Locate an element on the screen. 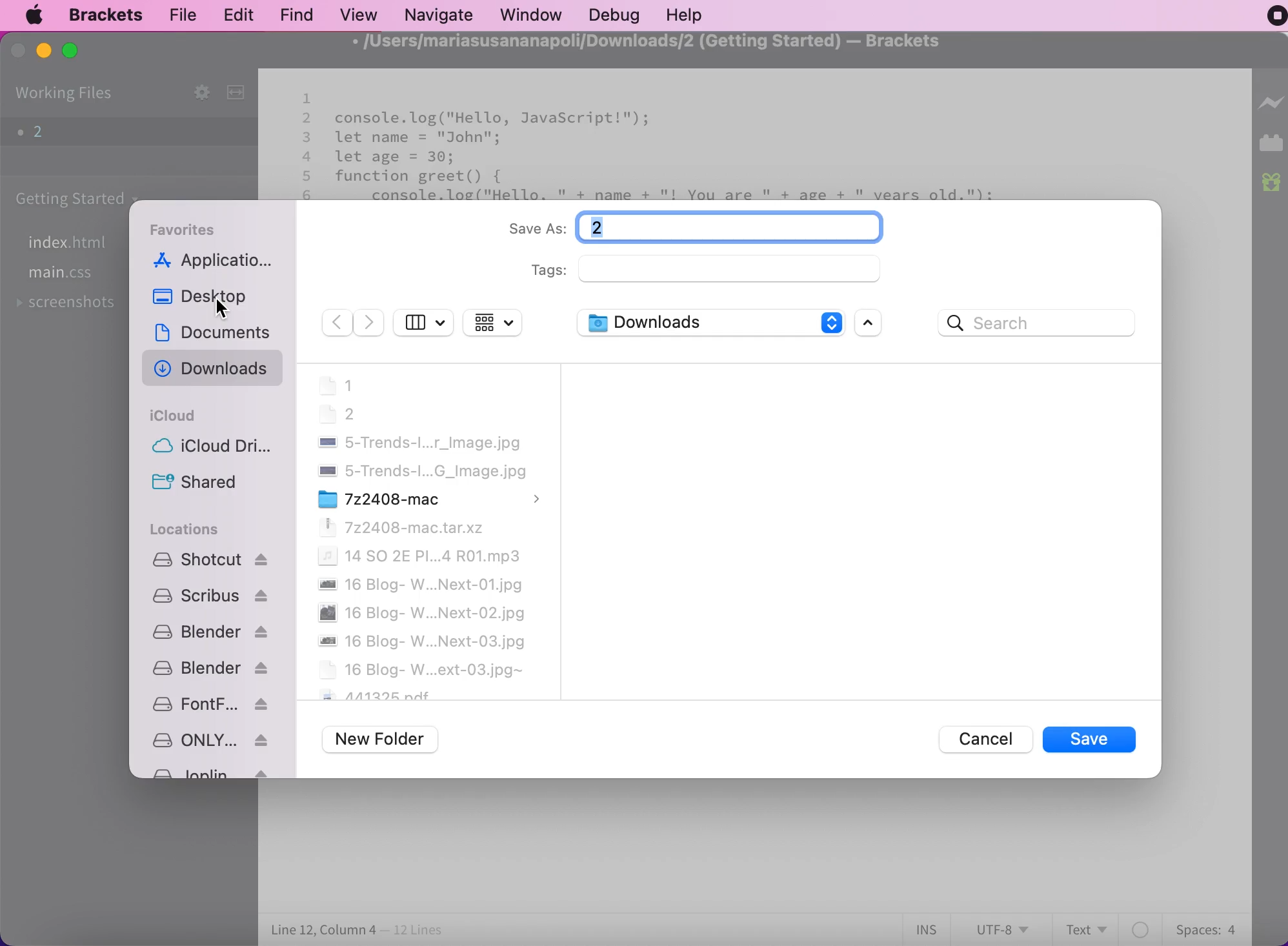  mac logo is located at coordinates (37, 15).